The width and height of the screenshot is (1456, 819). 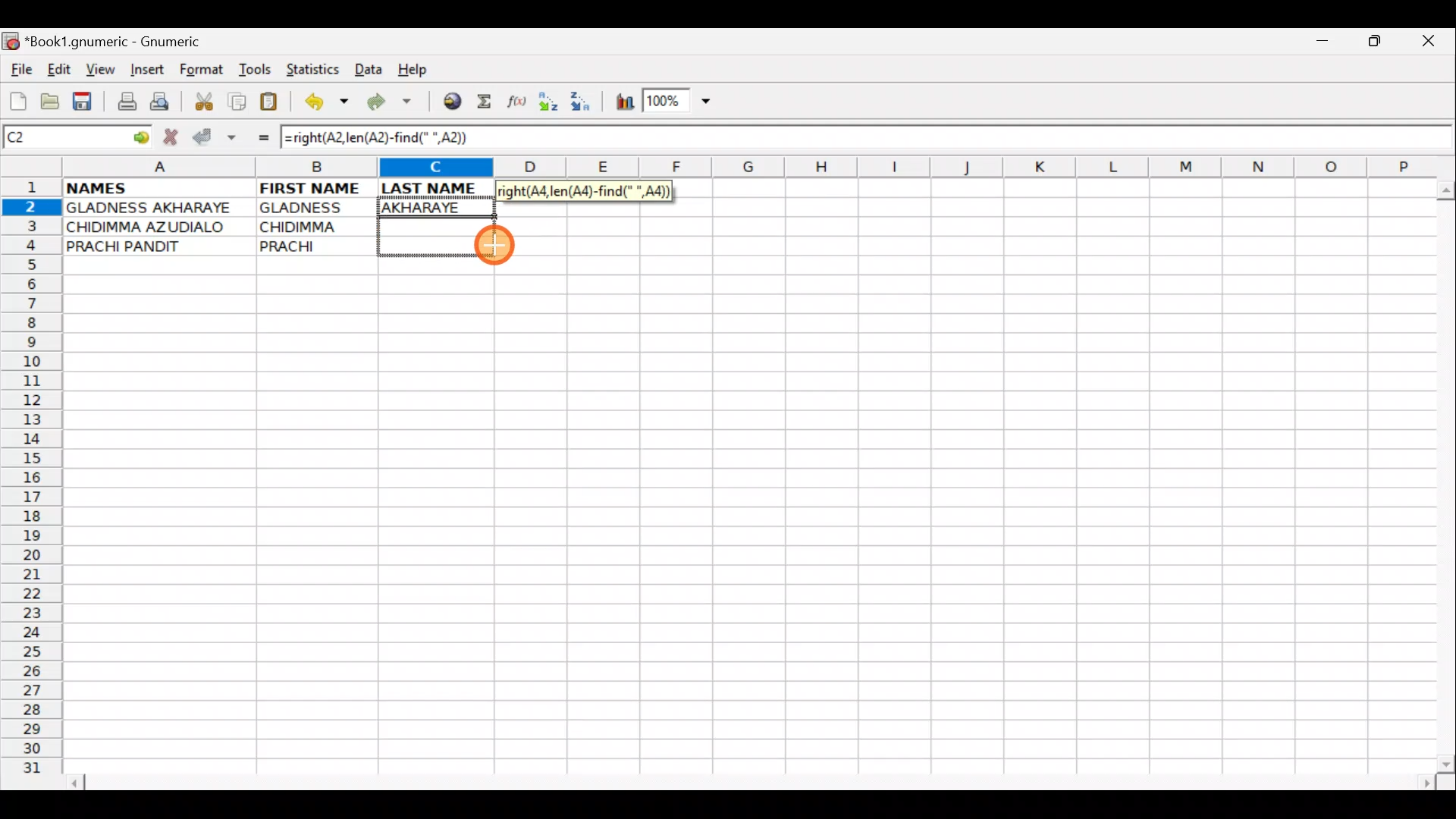 I want to click on GLADNESS AKHARAYE, so click(x=158, y=209).